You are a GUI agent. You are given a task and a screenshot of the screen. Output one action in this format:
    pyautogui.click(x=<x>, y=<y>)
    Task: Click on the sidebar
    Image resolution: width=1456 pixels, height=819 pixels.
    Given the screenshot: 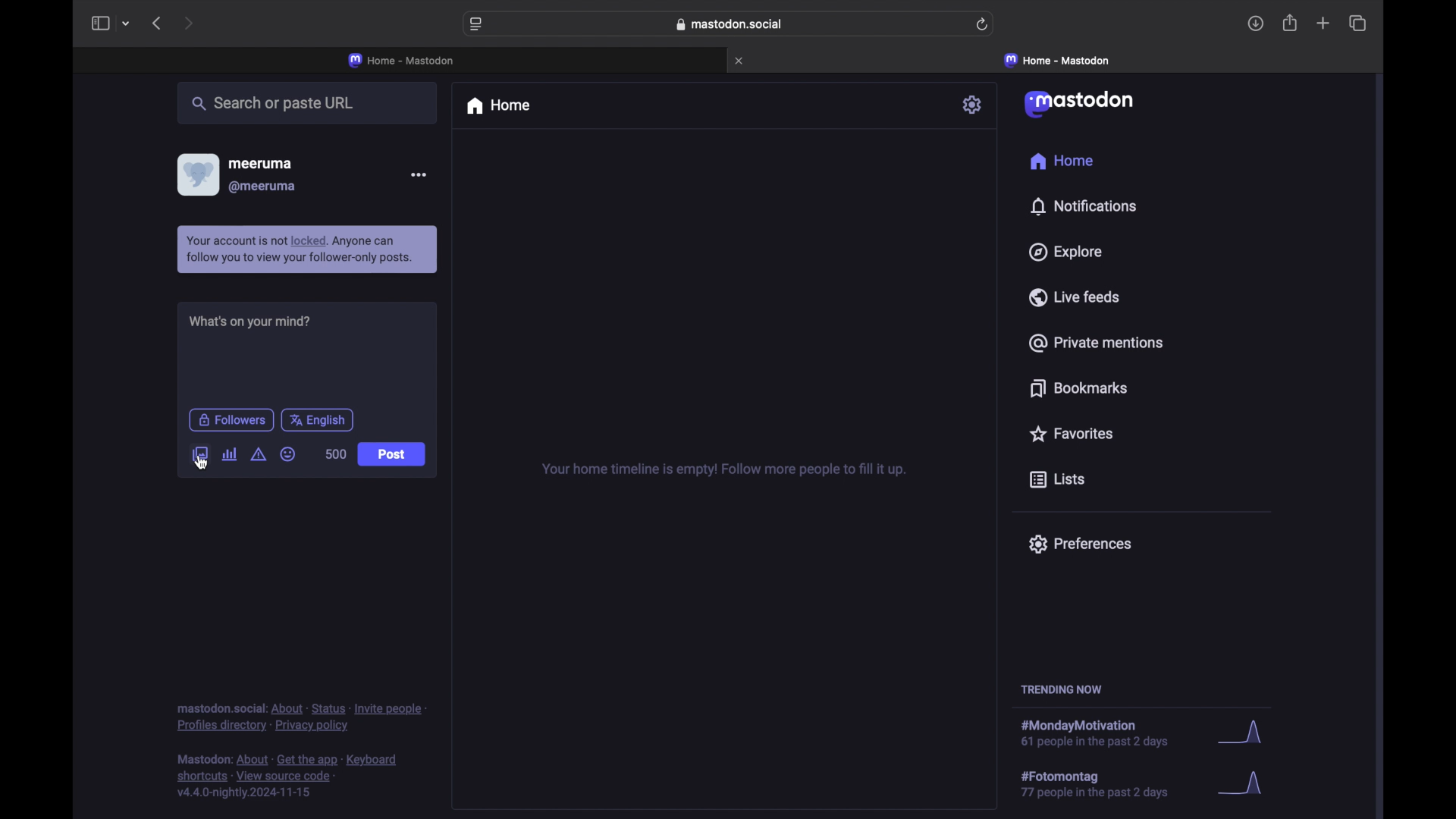 What is the action you would take?
    pyautogui.click(x=99, y=24)
    